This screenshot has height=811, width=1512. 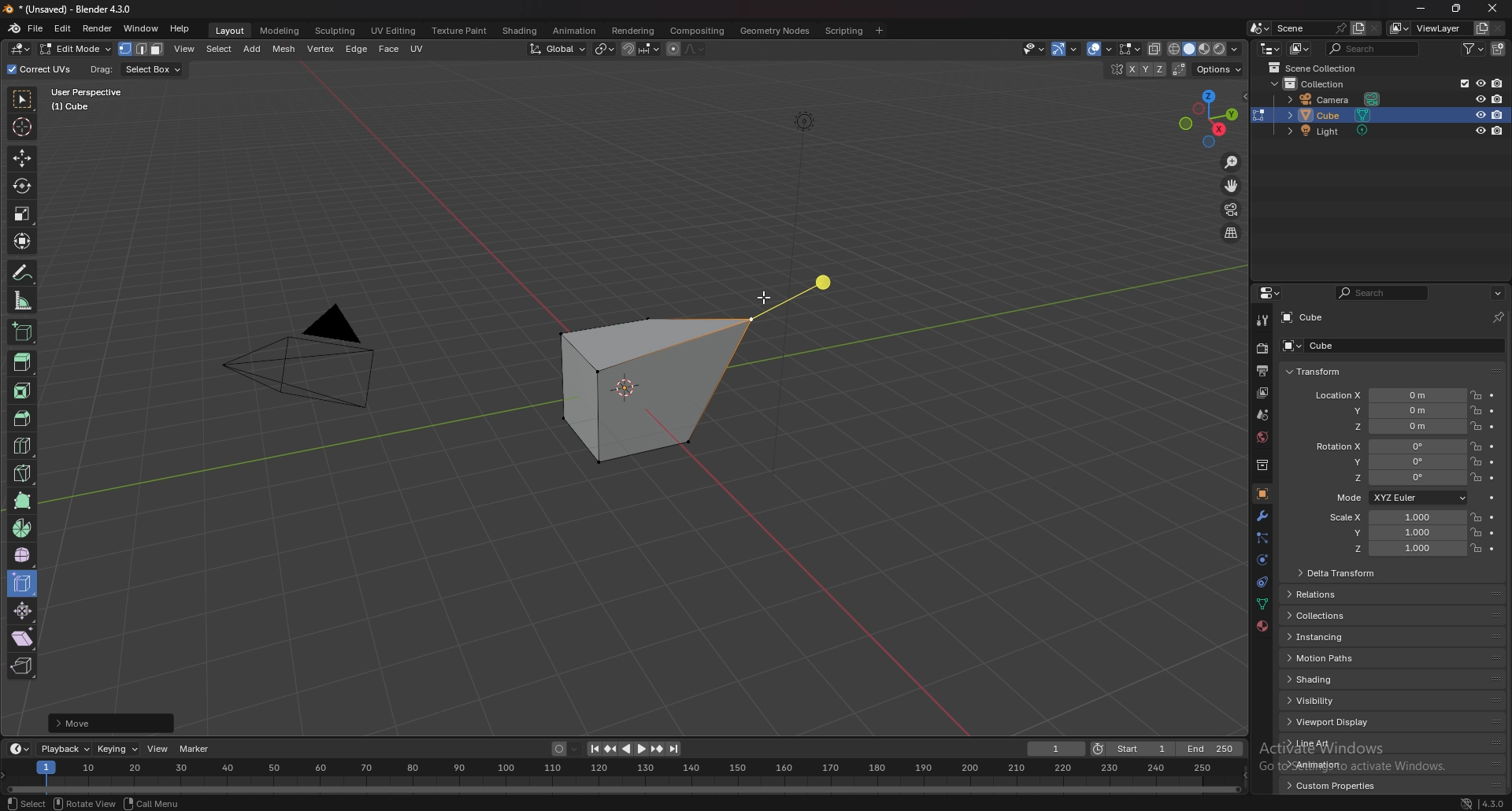 What do you see at coordinates (1217, 69) in the screenshot?
I see `options` at bounding box center [1217, 69].